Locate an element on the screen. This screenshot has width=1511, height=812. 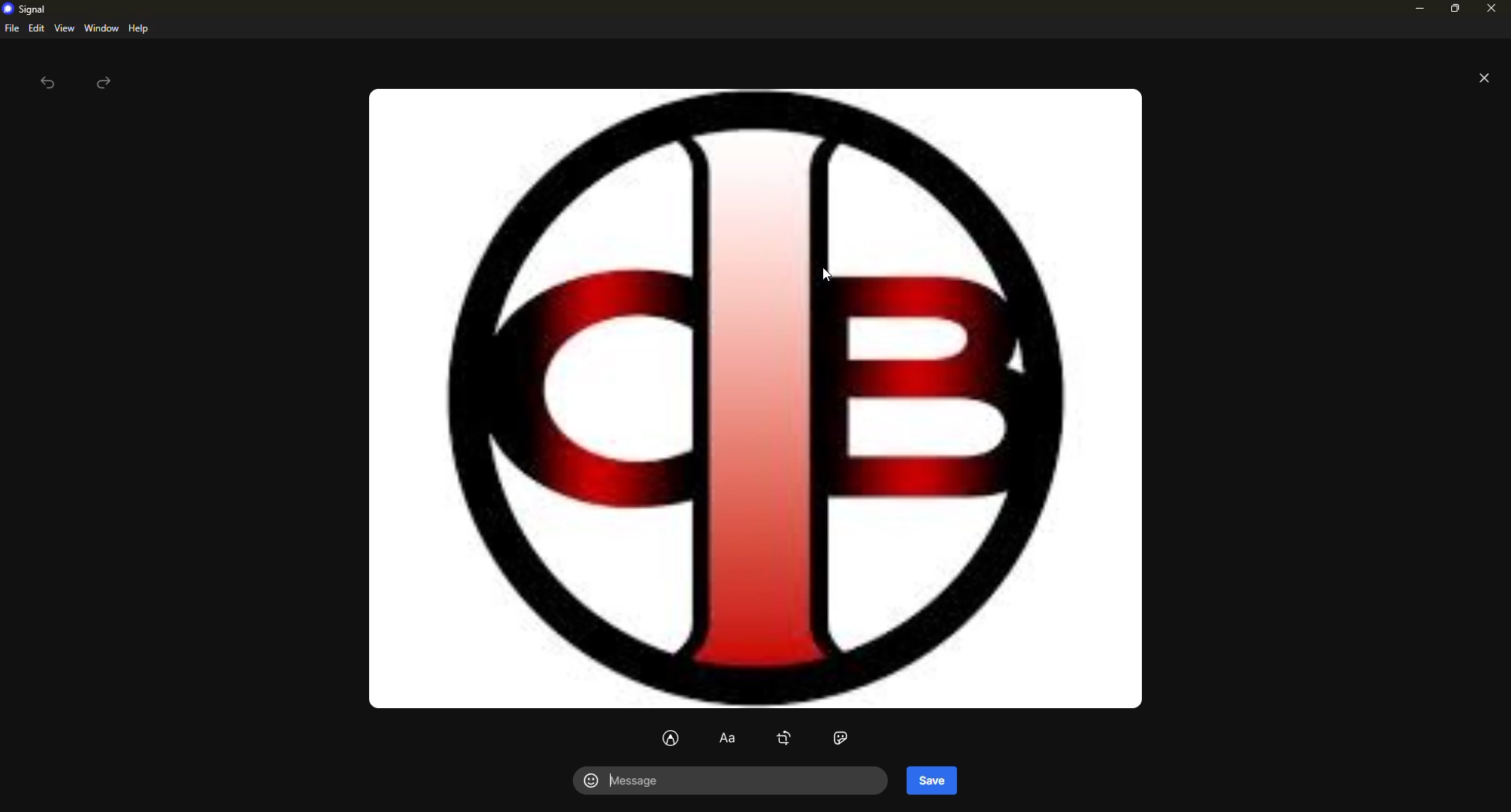
image preview is located at coordinates (763, 397).